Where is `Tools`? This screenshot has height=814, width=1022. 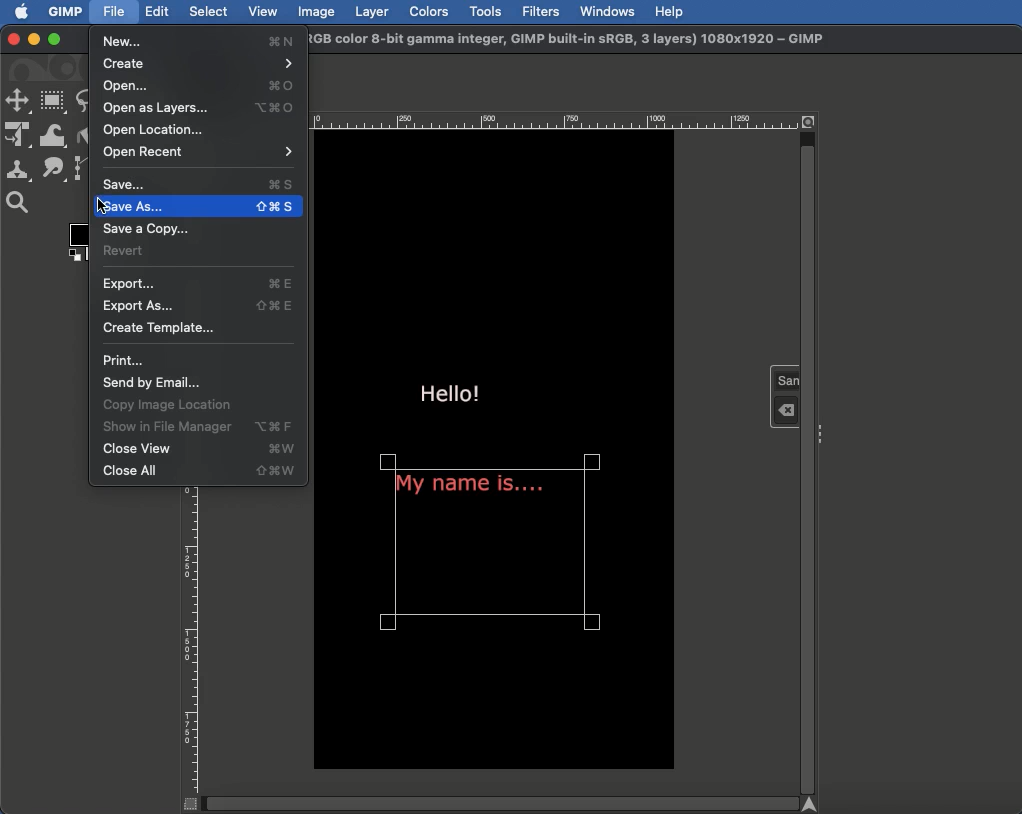 Tools is located at coordinates (484, 10).